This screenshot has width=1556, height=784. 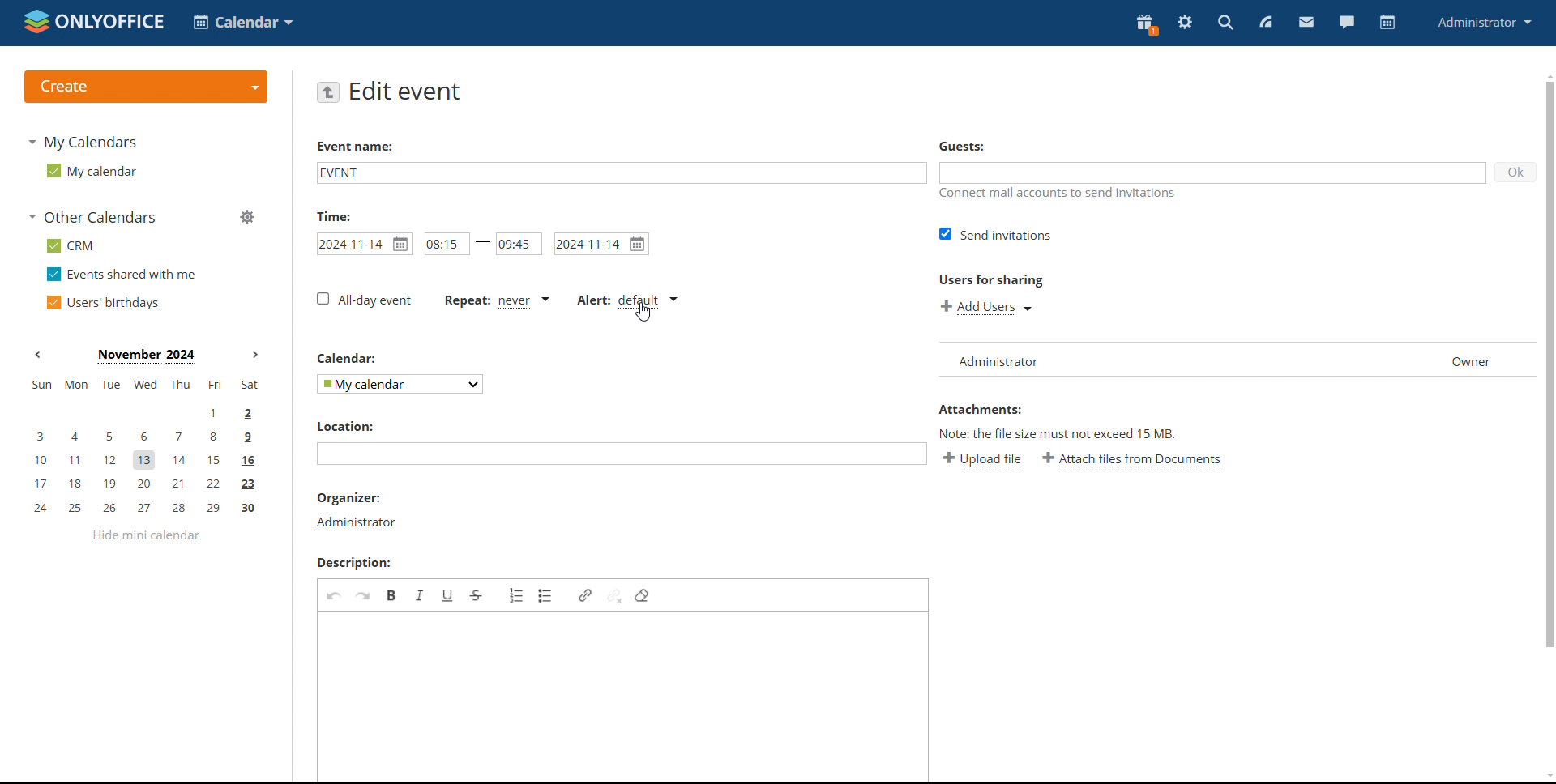 What do you see at coordinates (101, 302) in the screenshot?
I see `users' birthdays` at bounding box center [101, 302].